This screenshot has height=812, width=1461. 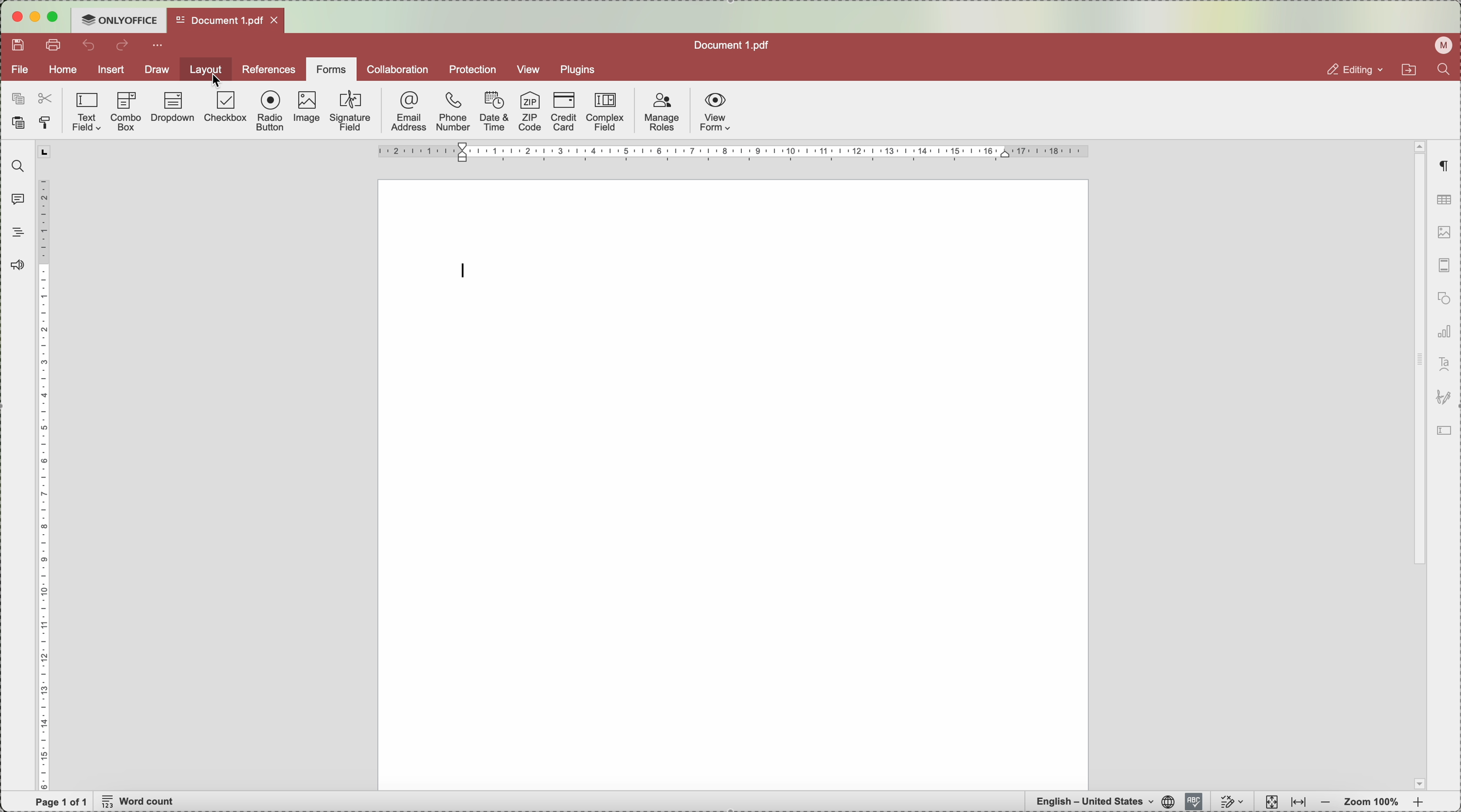 What do you see at coordinates (141, 802) in the screenshot?
I see `word count` at bounding box center [141, 802].